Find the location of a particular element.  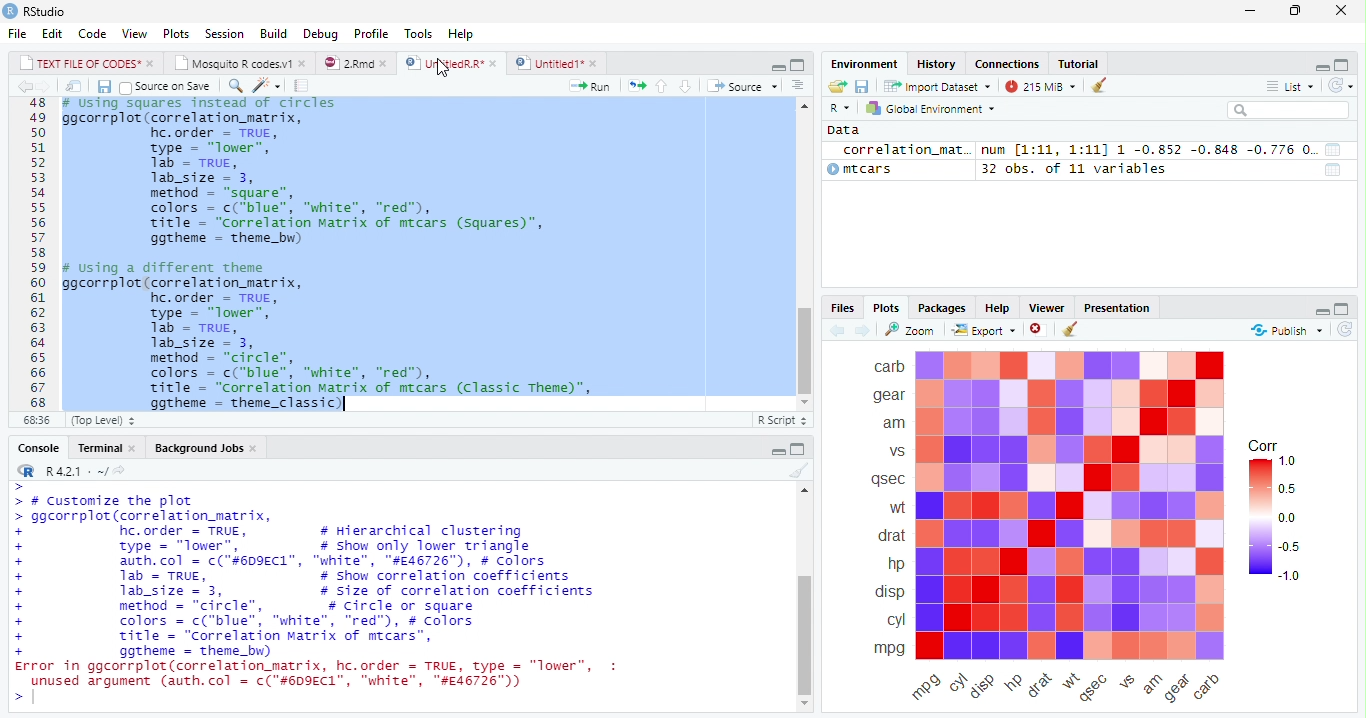

Viewer is located at coordinates (1048, 308).